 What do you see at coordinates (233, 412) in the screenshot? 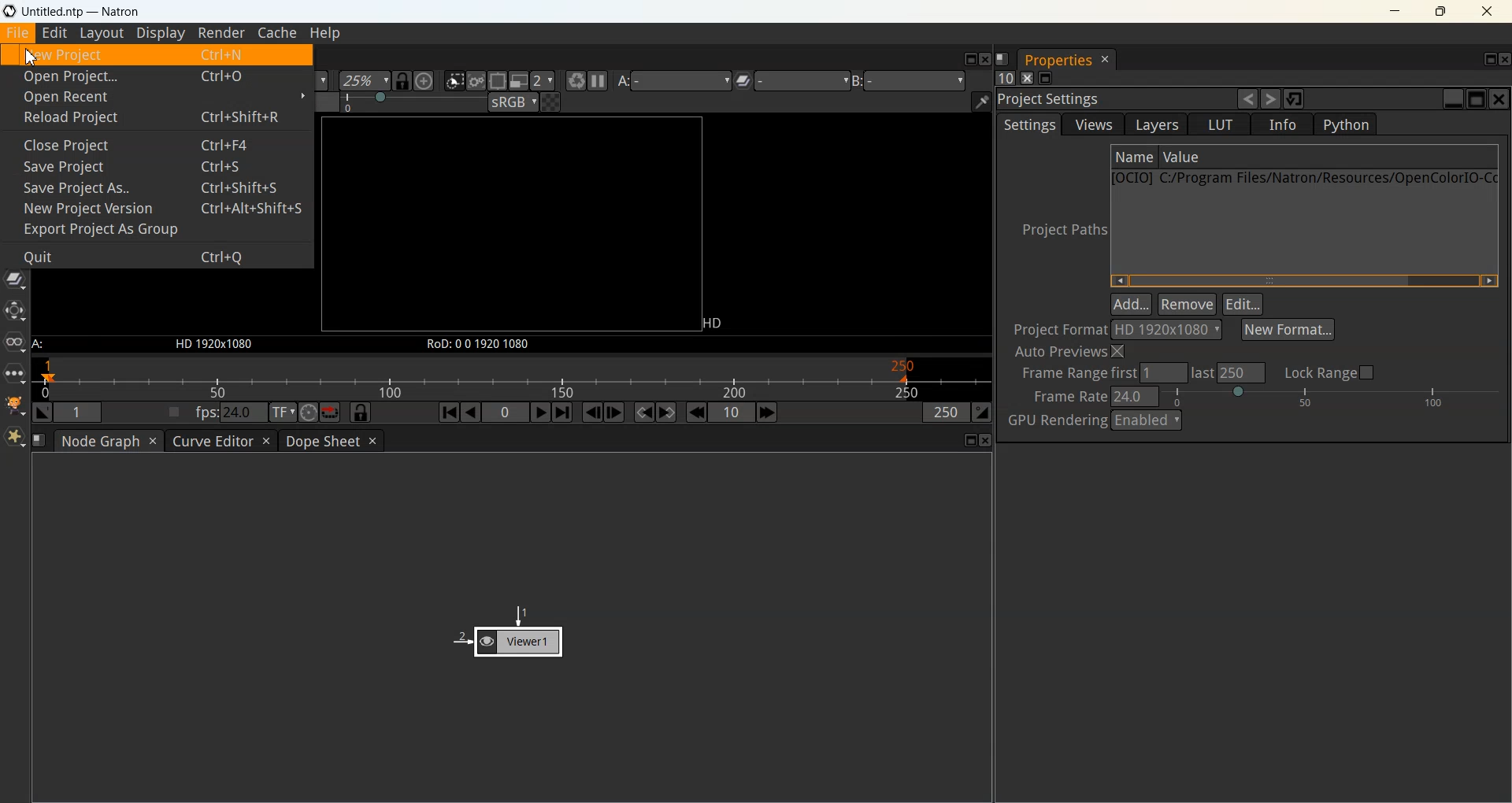
I see `Manual edit fps` at bounding box center [233, 412].